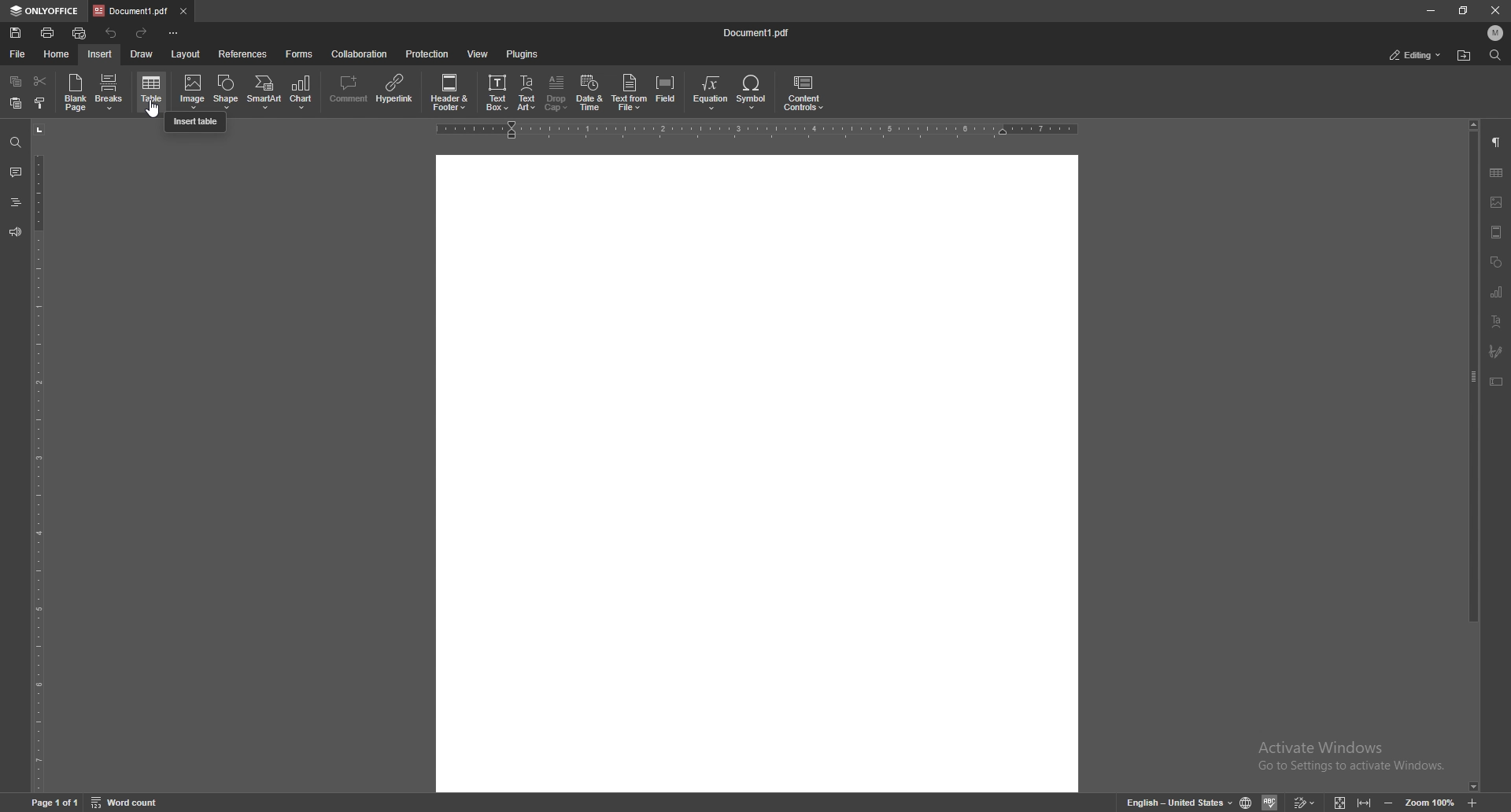 The height and width of the screenshot is (812, 1511). What do you see at coordinates (175, 34) in the screenshot?
I see `configure toolbar` at bounding box center [175, 34].